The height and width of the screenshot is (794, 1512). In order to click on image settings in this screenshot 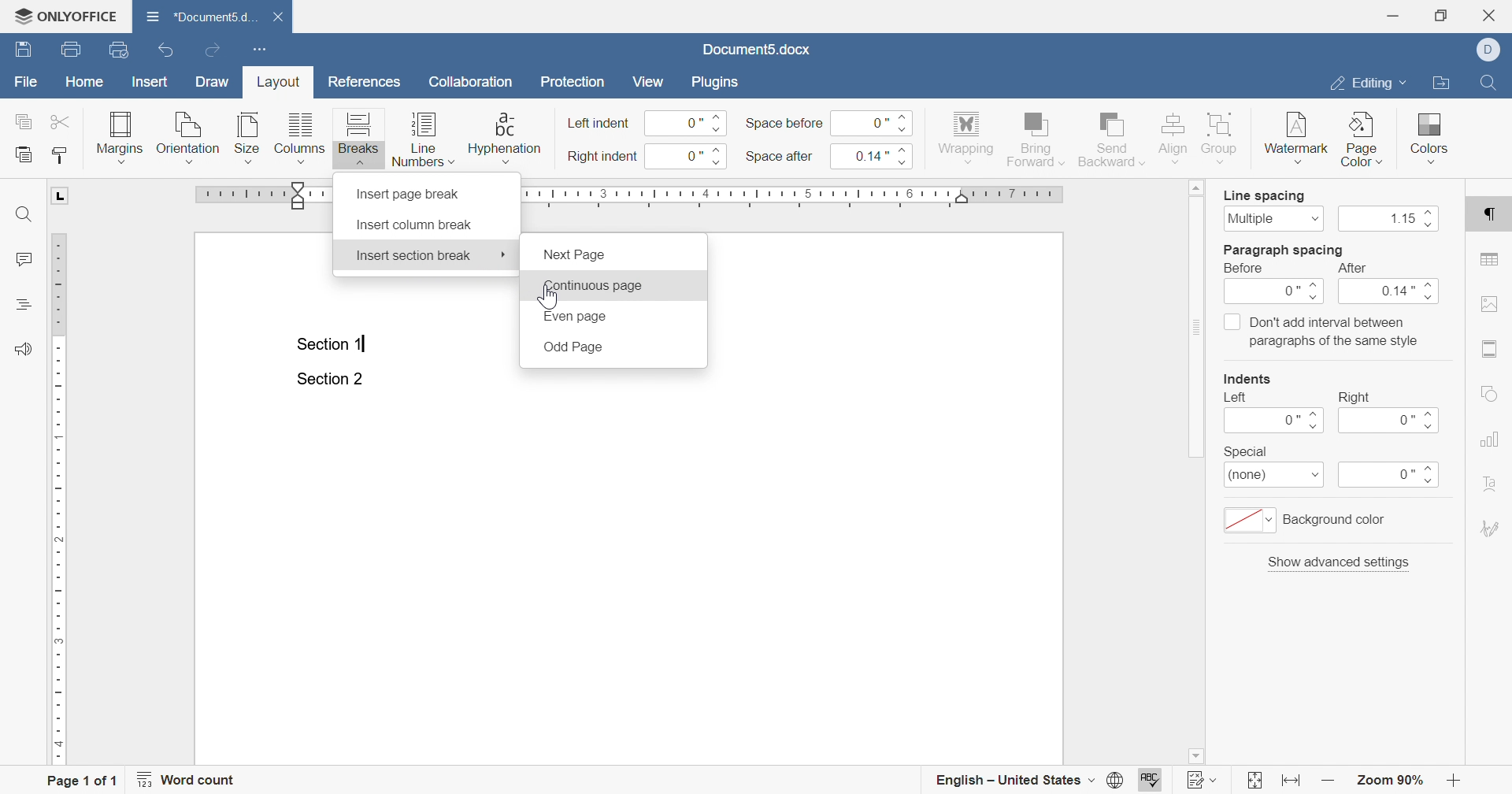, I will do `click(1488, 303)`.